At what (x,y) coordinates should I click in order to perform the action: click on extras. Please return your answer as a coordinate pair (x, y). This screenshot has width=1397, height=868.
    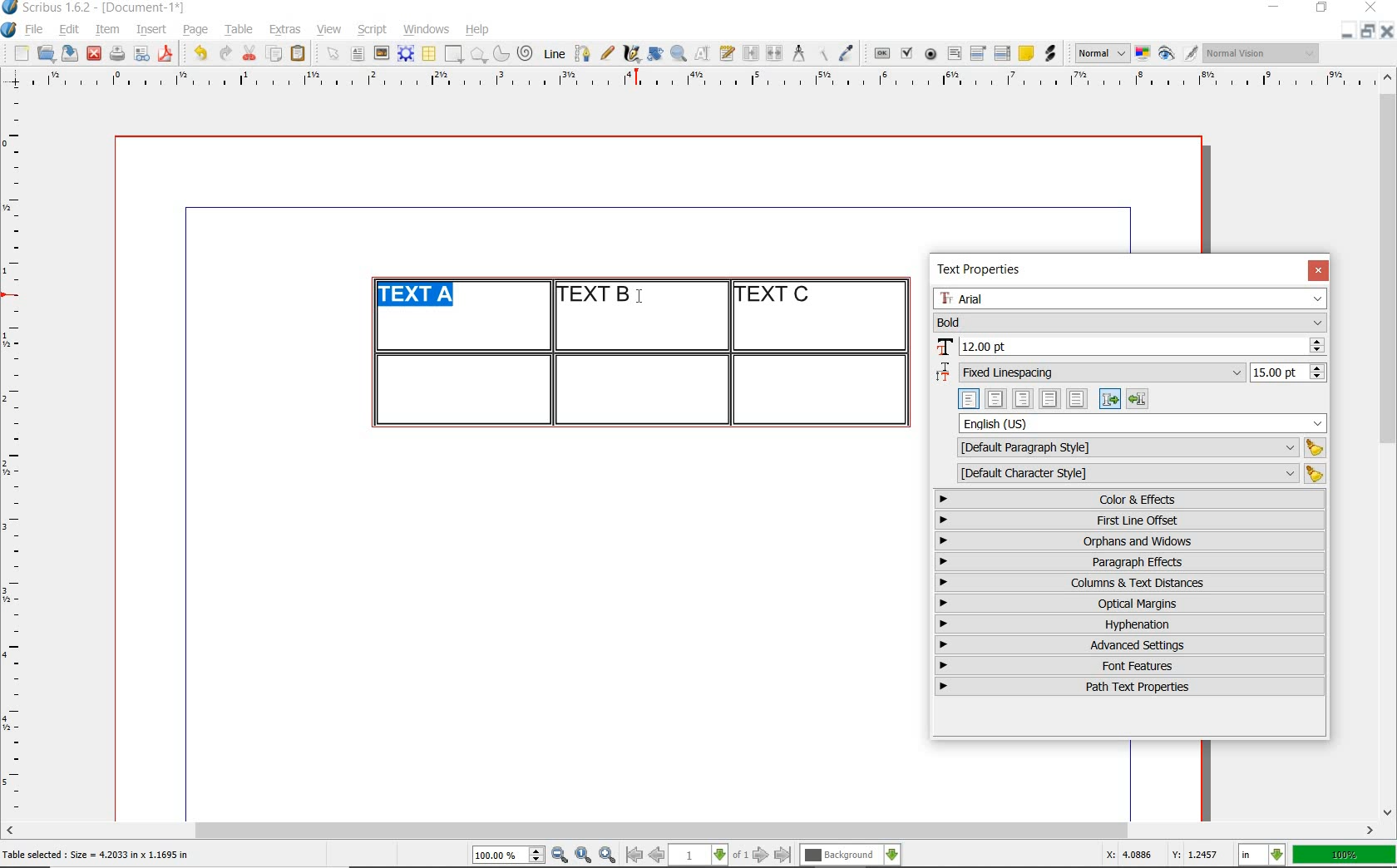
    Looking at the image, I should click on (285, 31).